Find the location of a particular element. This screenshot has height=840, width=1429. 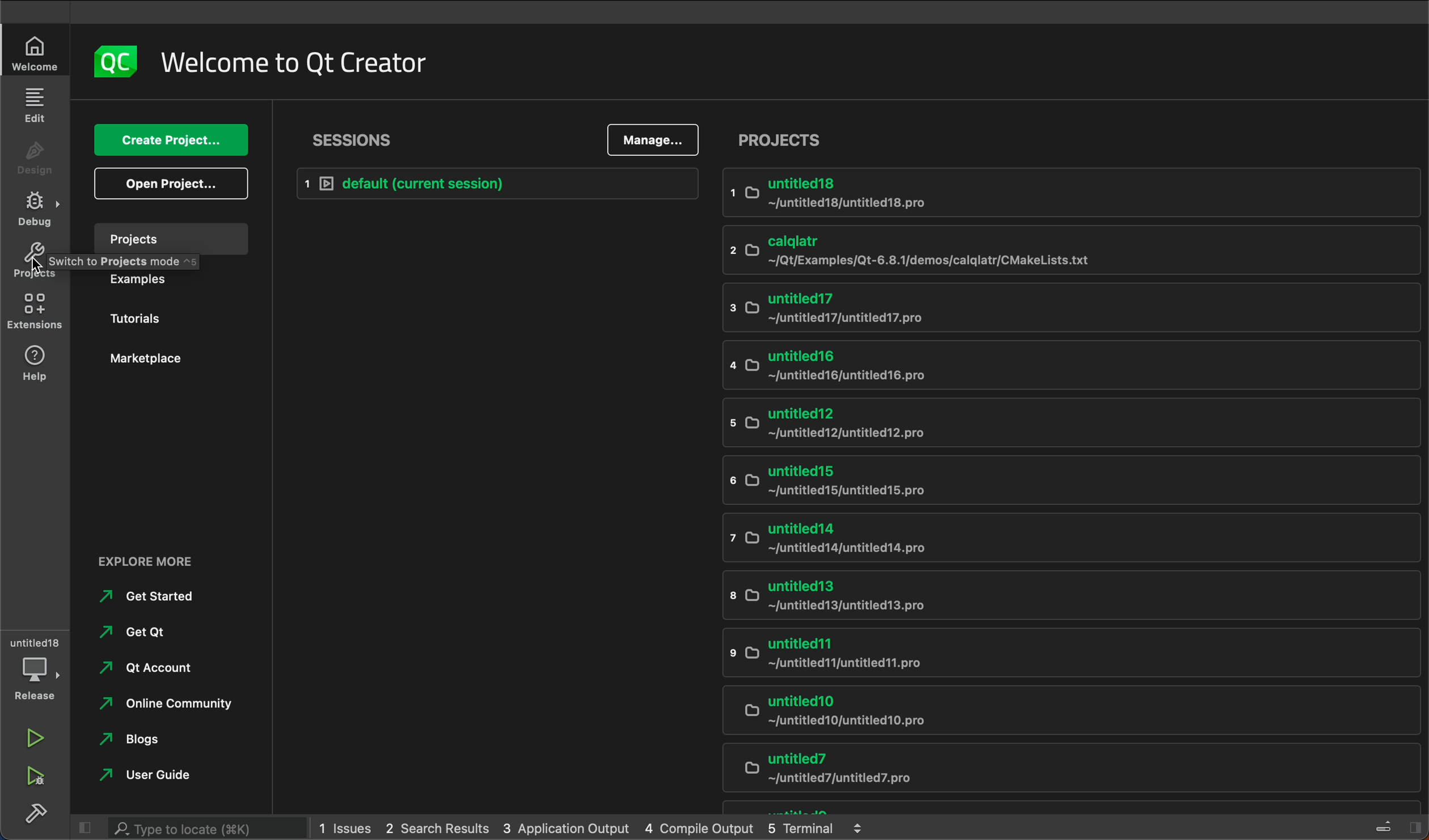

search is located at coordinates (186, 826).